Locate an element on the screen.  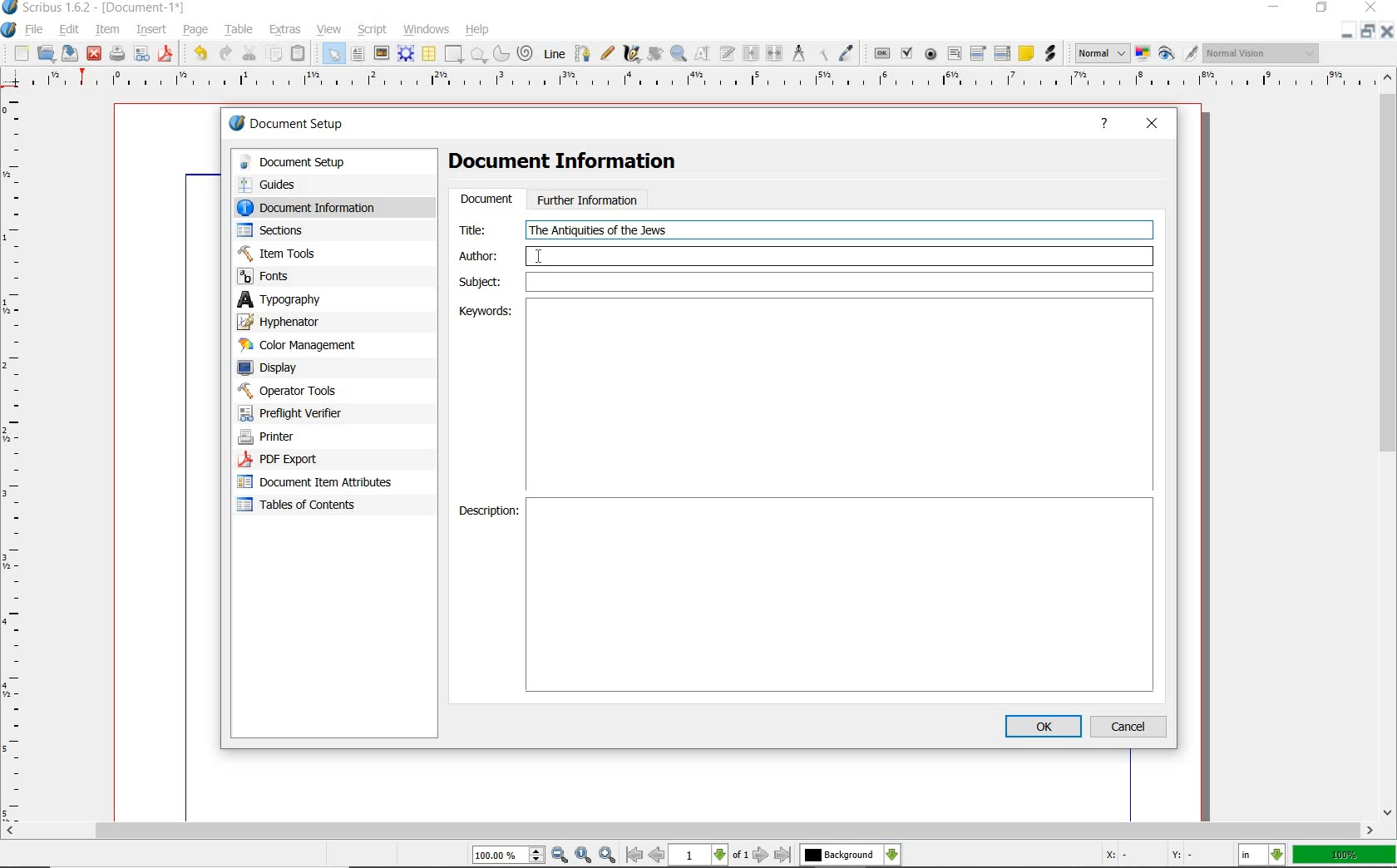
Title is located at coordinates (483, 229).